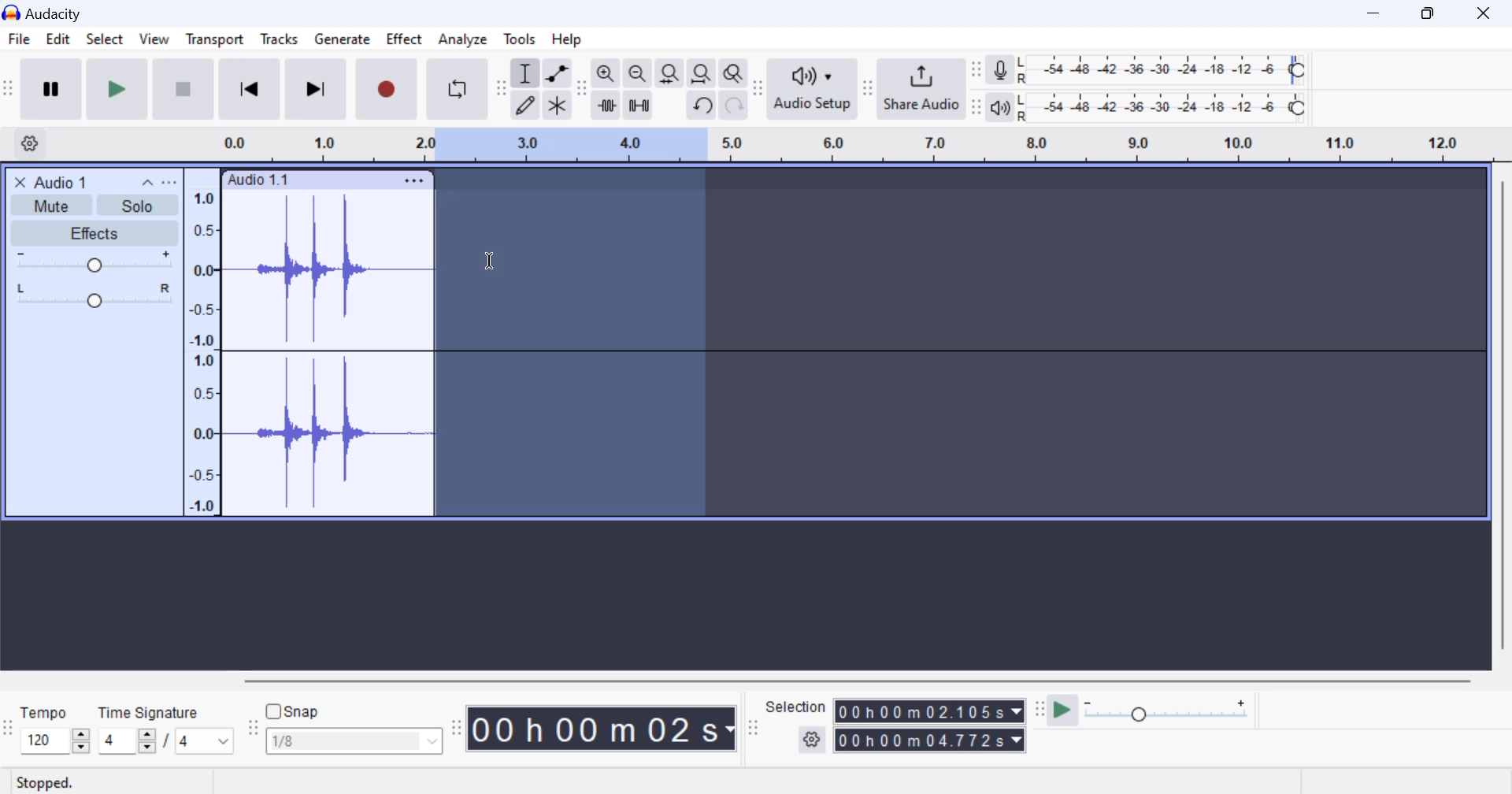  What do you see at coordinates (46, 784) in the screenshot?
I see `Clip Status` at bounding box center [46, 784].